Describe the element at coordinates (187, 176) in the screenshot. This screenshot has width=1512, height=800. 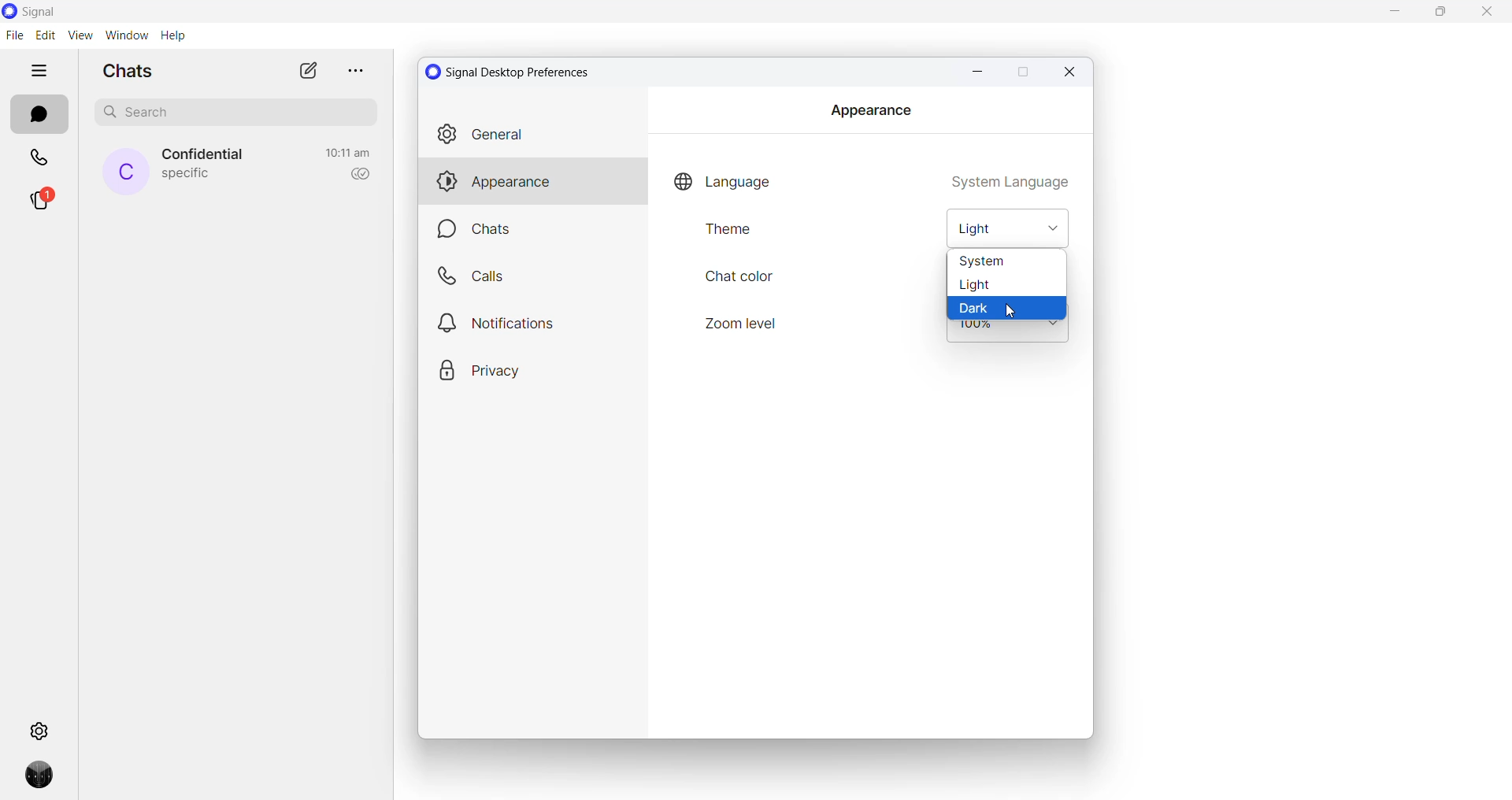
I see `last message` at that location.